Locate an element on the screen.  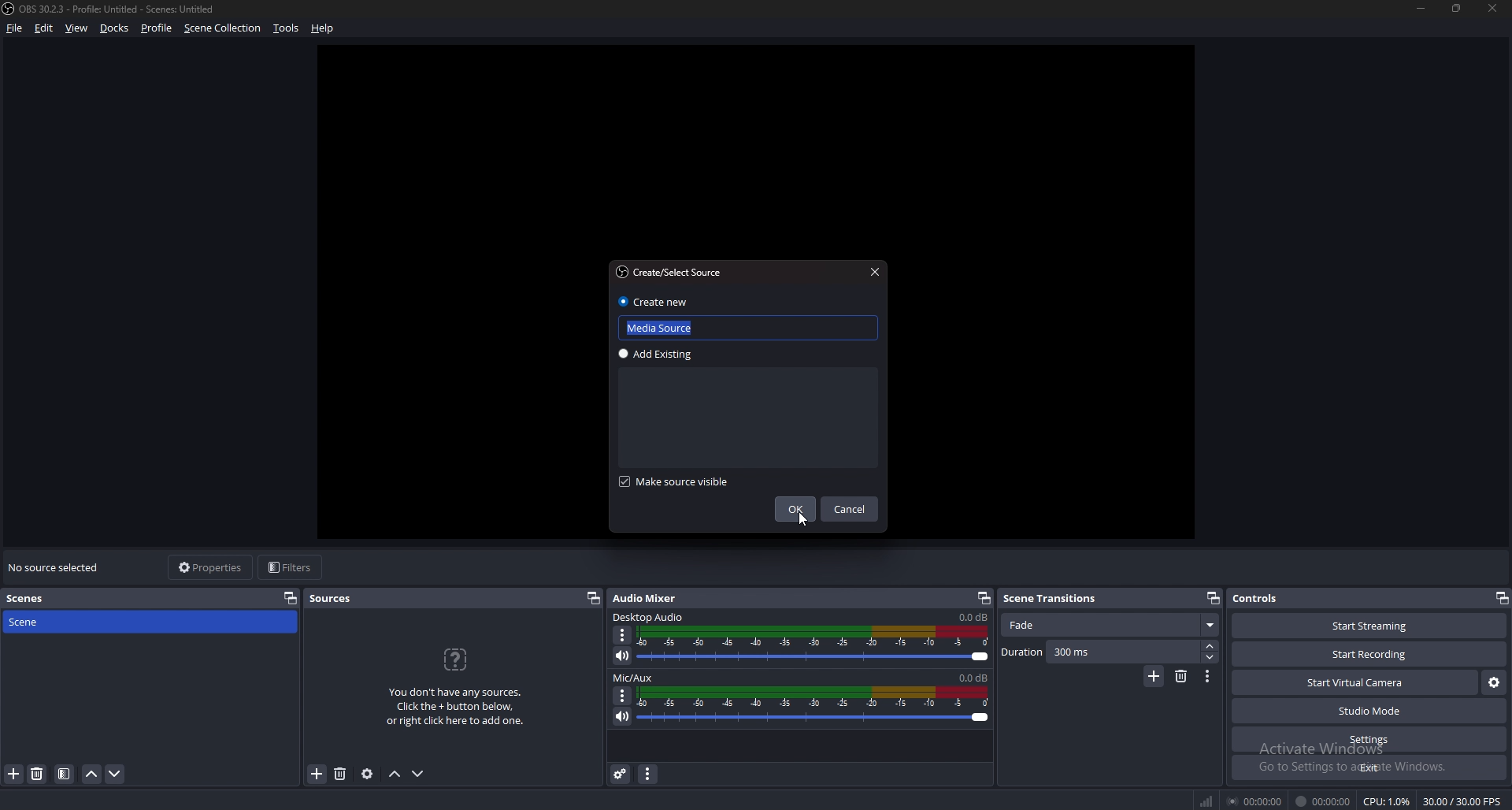
Filters  is located at coordinates (292, 567).